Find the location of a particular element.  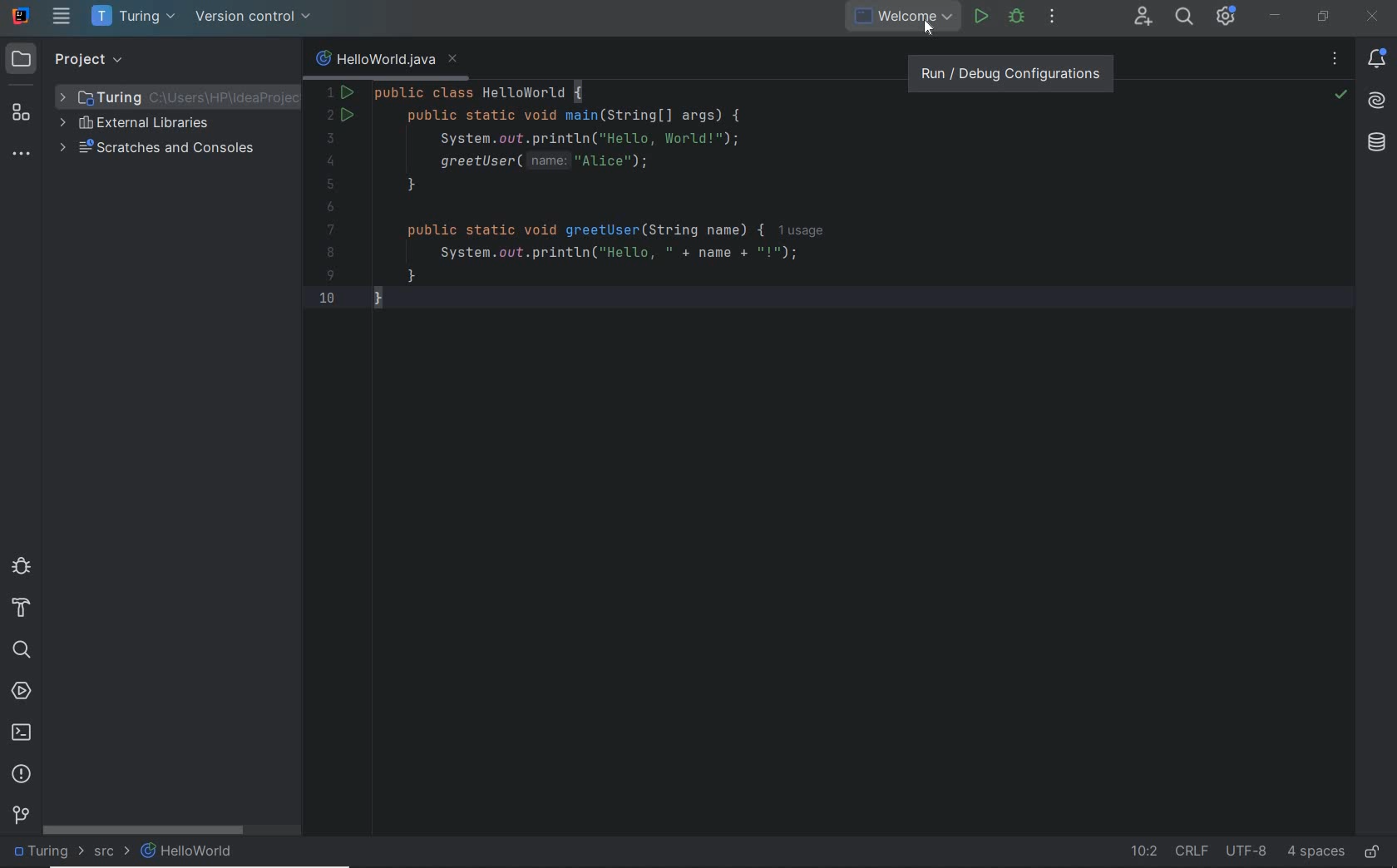

problems is located at coordinates (22, 775).